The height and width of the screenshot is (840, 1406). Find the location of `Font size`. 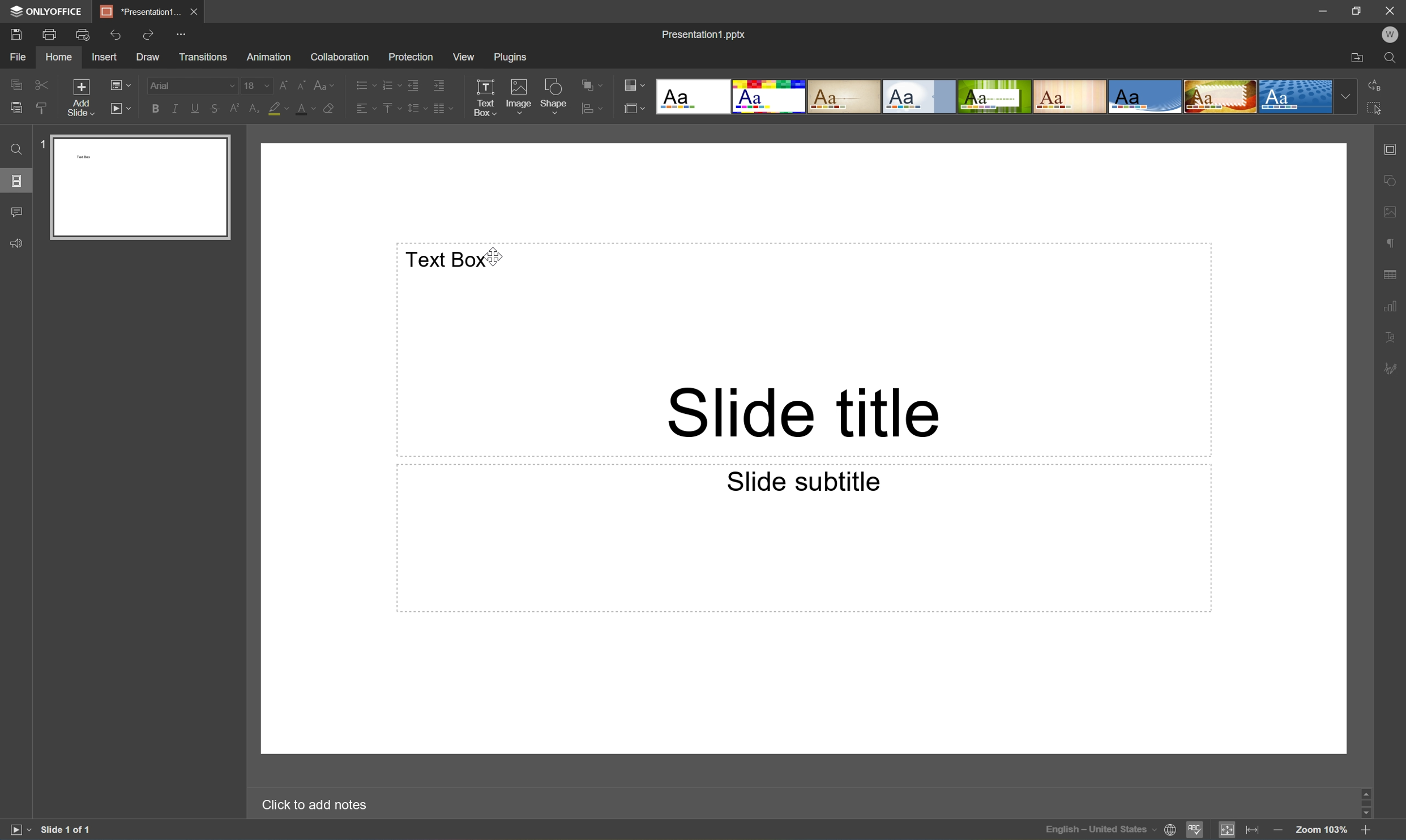

Font size is located at coordinates (257, 84).